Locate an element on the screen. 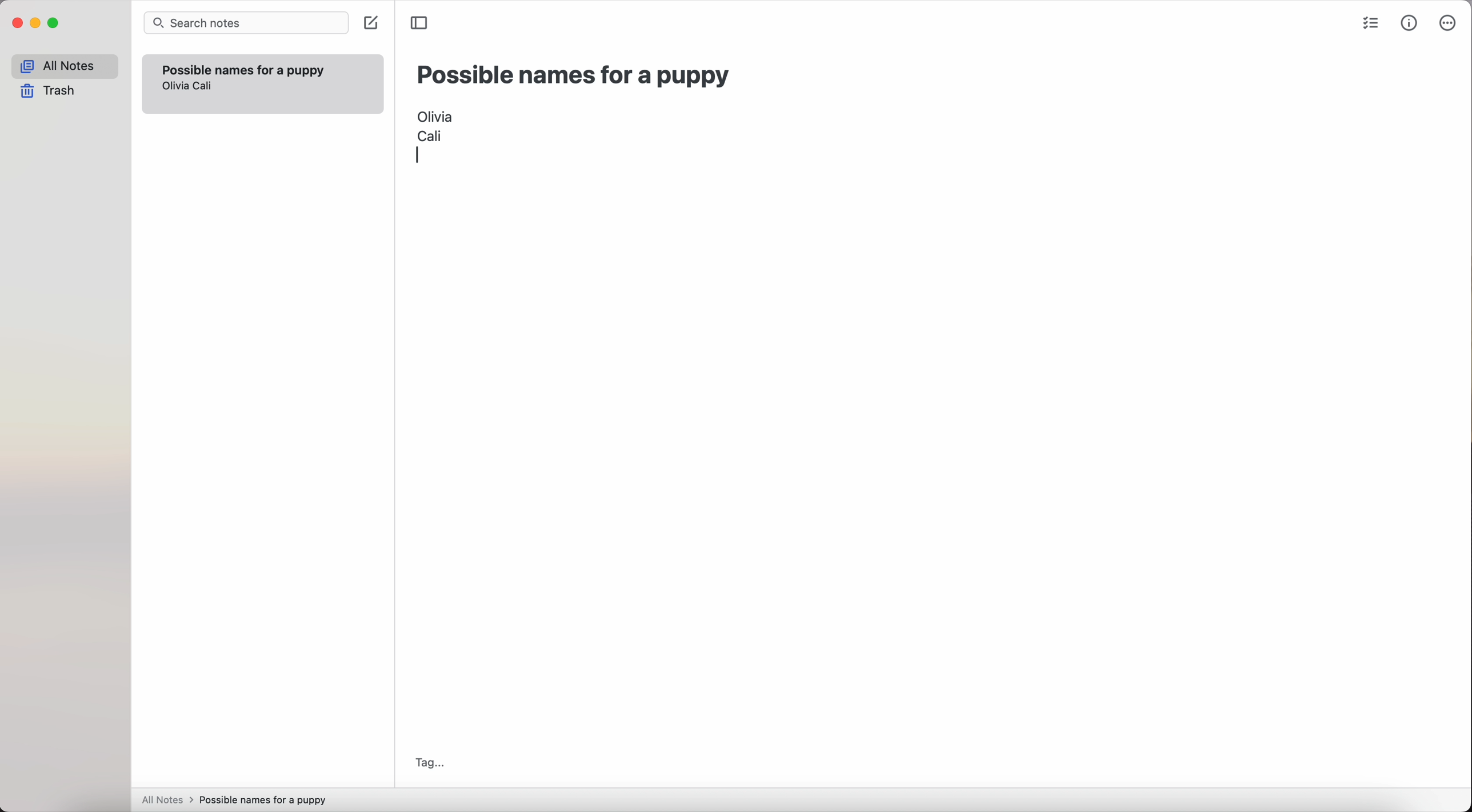 The height and width of the screenshot is (812, 1472). Cali is located at coordinates (206, 87).